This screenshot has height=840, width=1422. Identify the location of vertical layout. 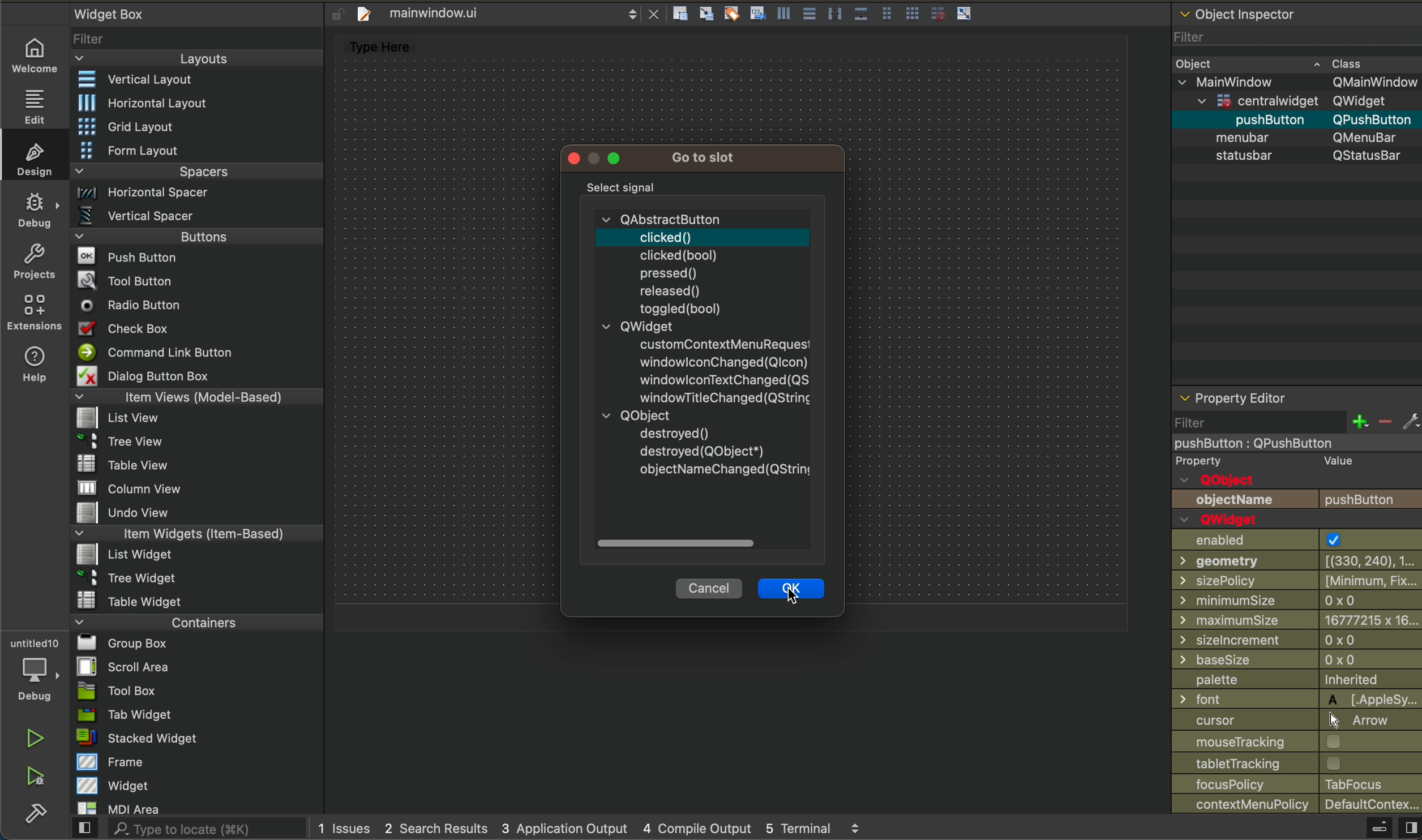
(198, 79).